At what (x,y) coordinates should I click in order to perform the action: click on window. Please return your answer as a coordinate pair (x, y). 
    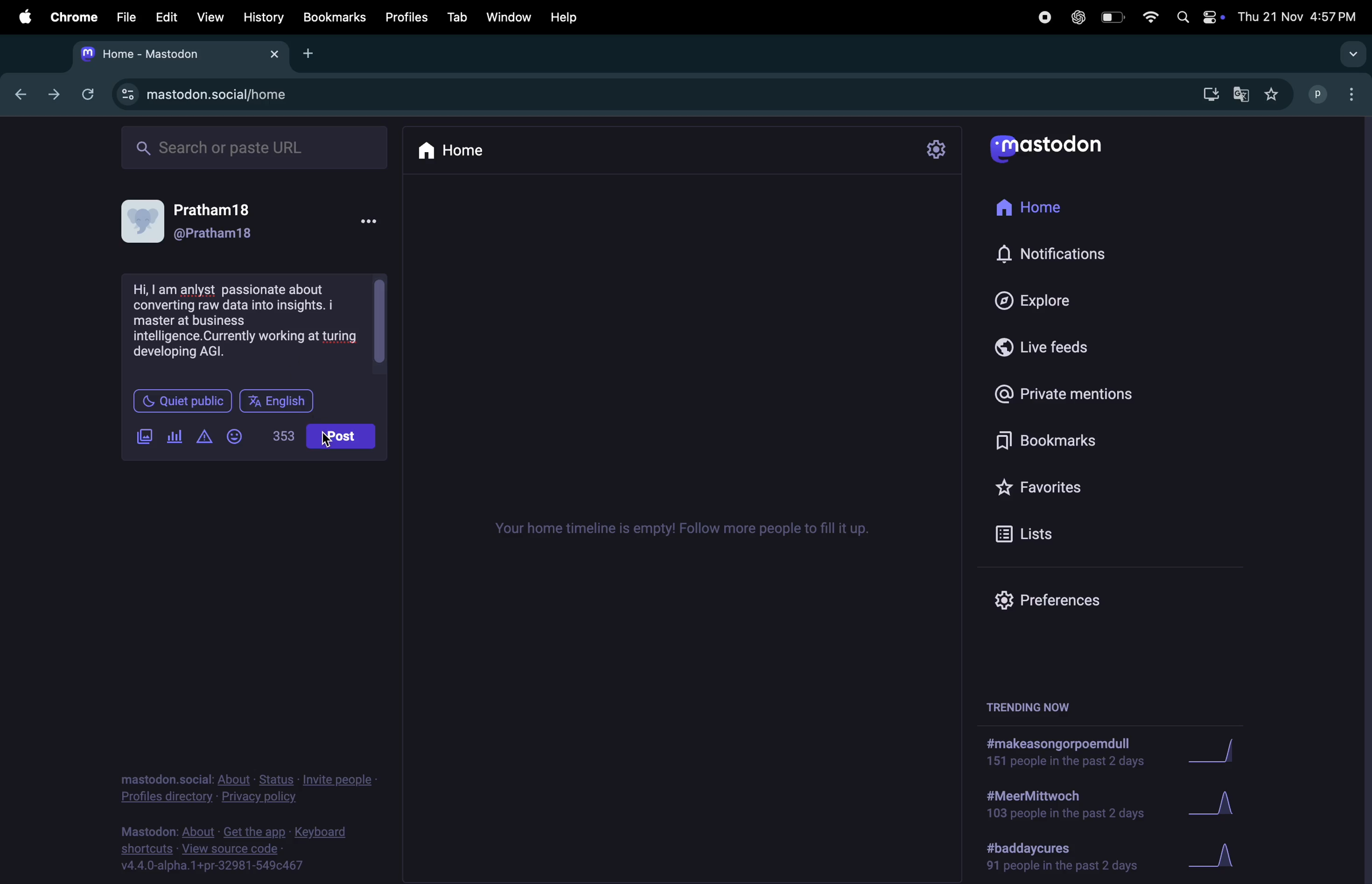
    Looking at the image, I should click on (508, 17).